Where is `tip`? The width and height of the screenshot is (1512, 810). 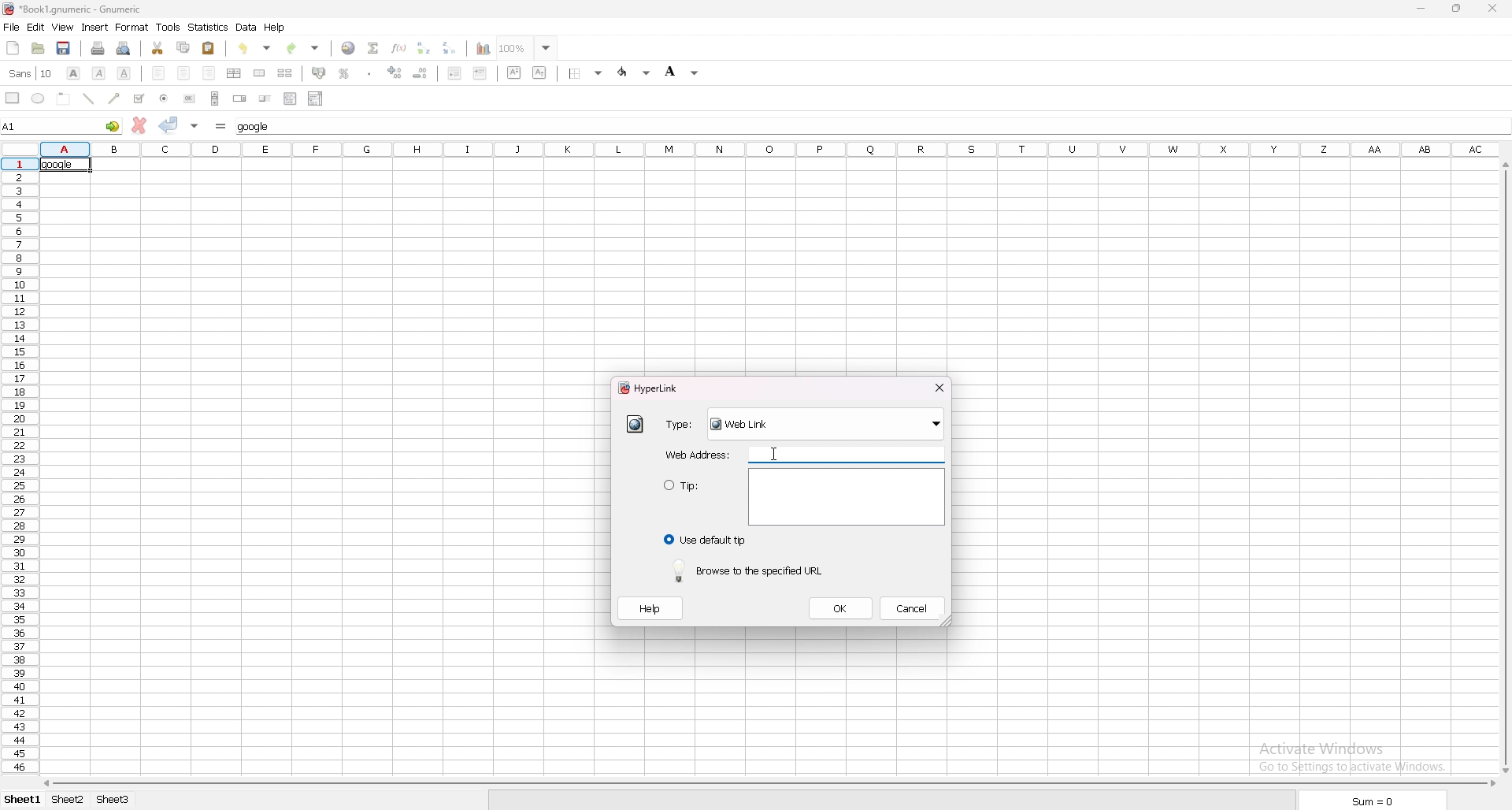
tip is located at coordinates (705, 497).